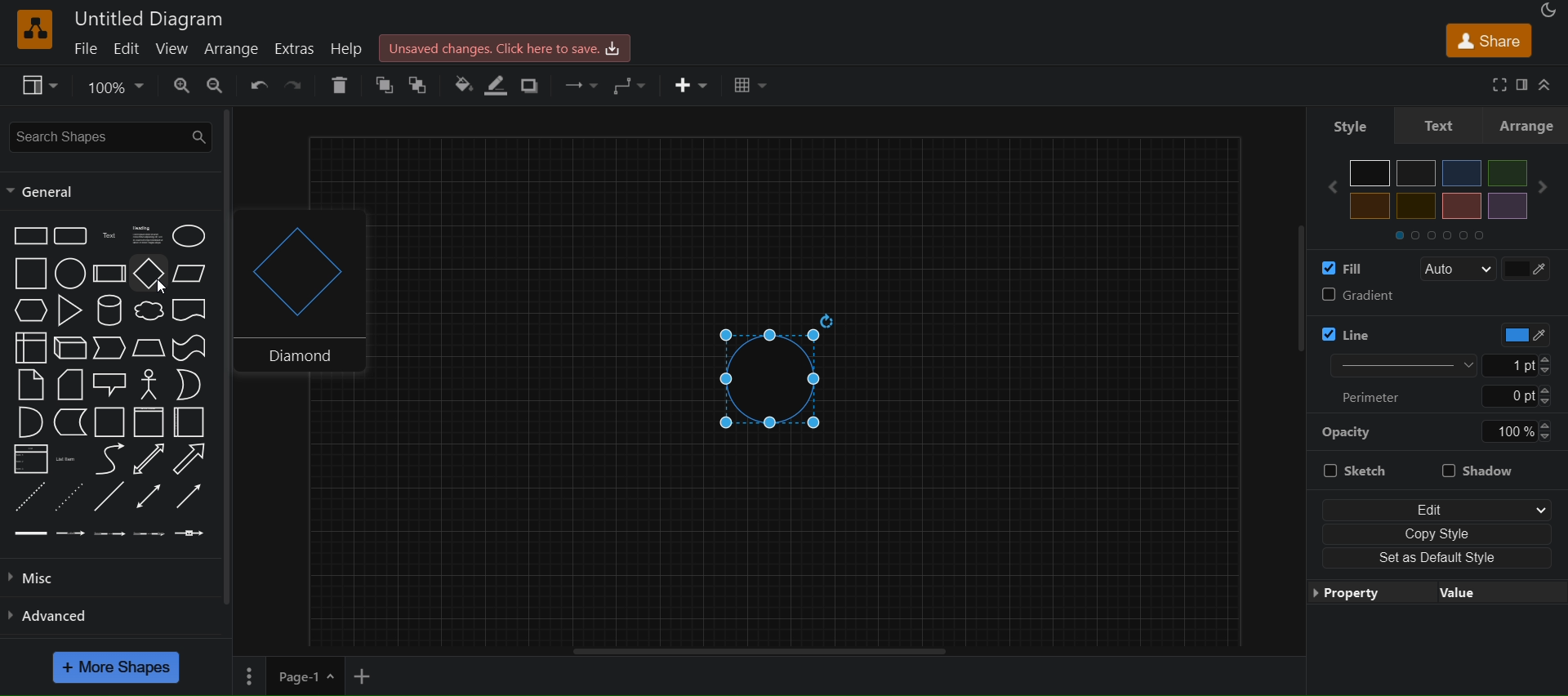 This screenshot has height=696, width=1568. I want to click on fullscreen, so click(1494, 84).